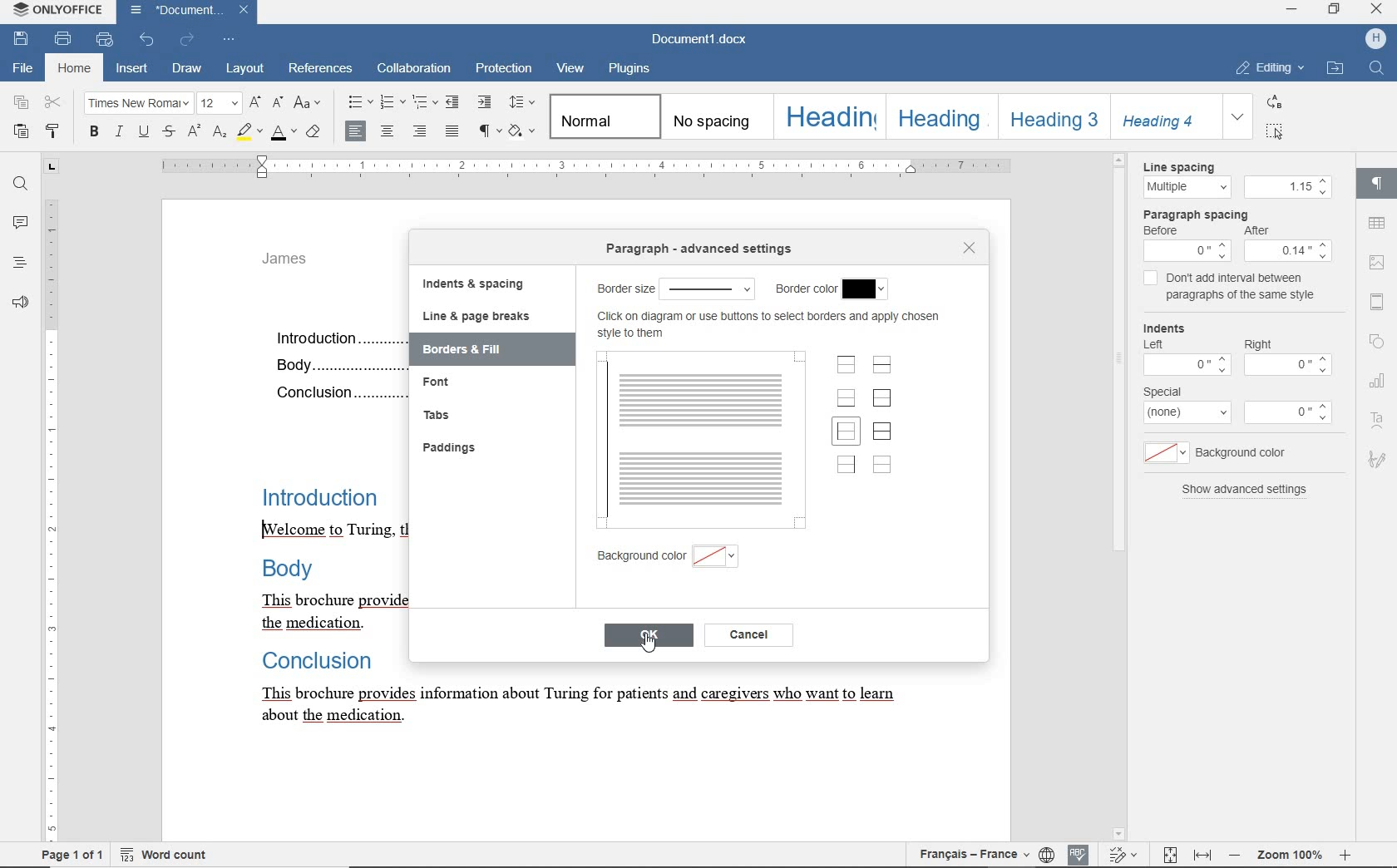 The width and height of the screenshot is (1397, 868). Describe the element at coordinates (1237, 856) in the screenshot. I see `zoom out` at that location.